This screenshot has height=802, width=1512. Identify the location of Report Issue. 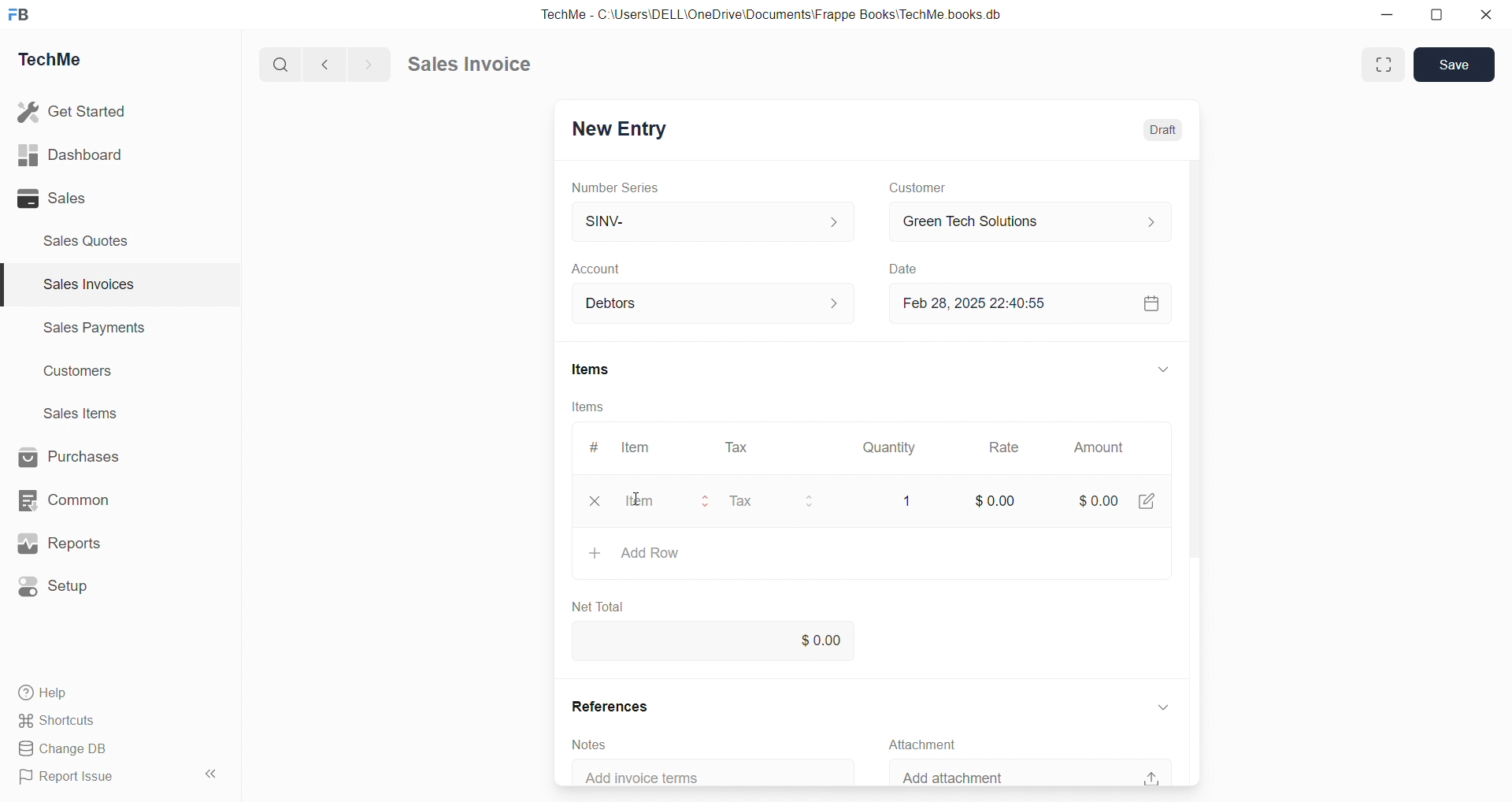
(71, 774).